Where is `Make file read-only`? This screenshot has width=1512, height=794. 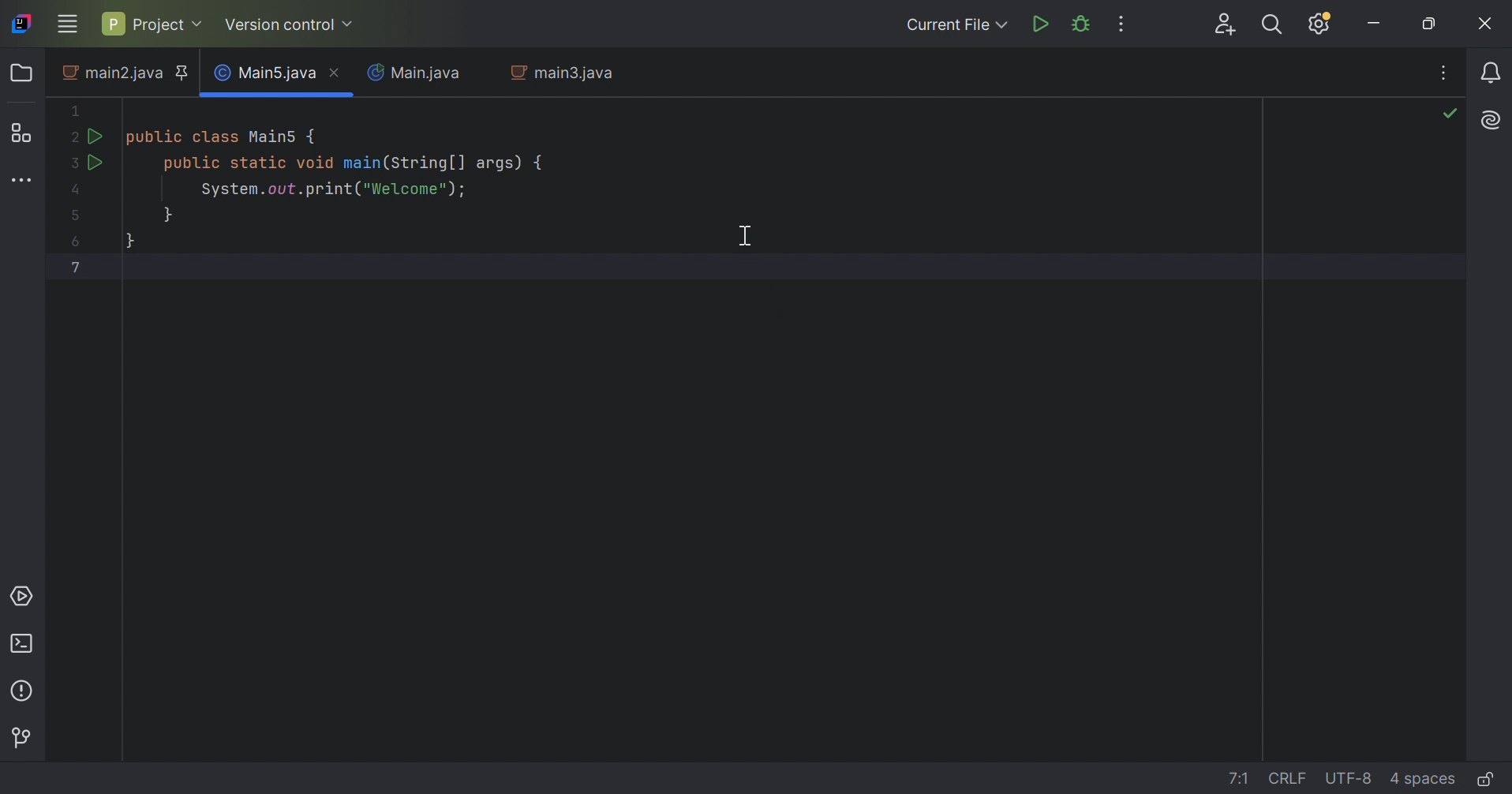
Make file read-only is located at coordinates (1487, 780).